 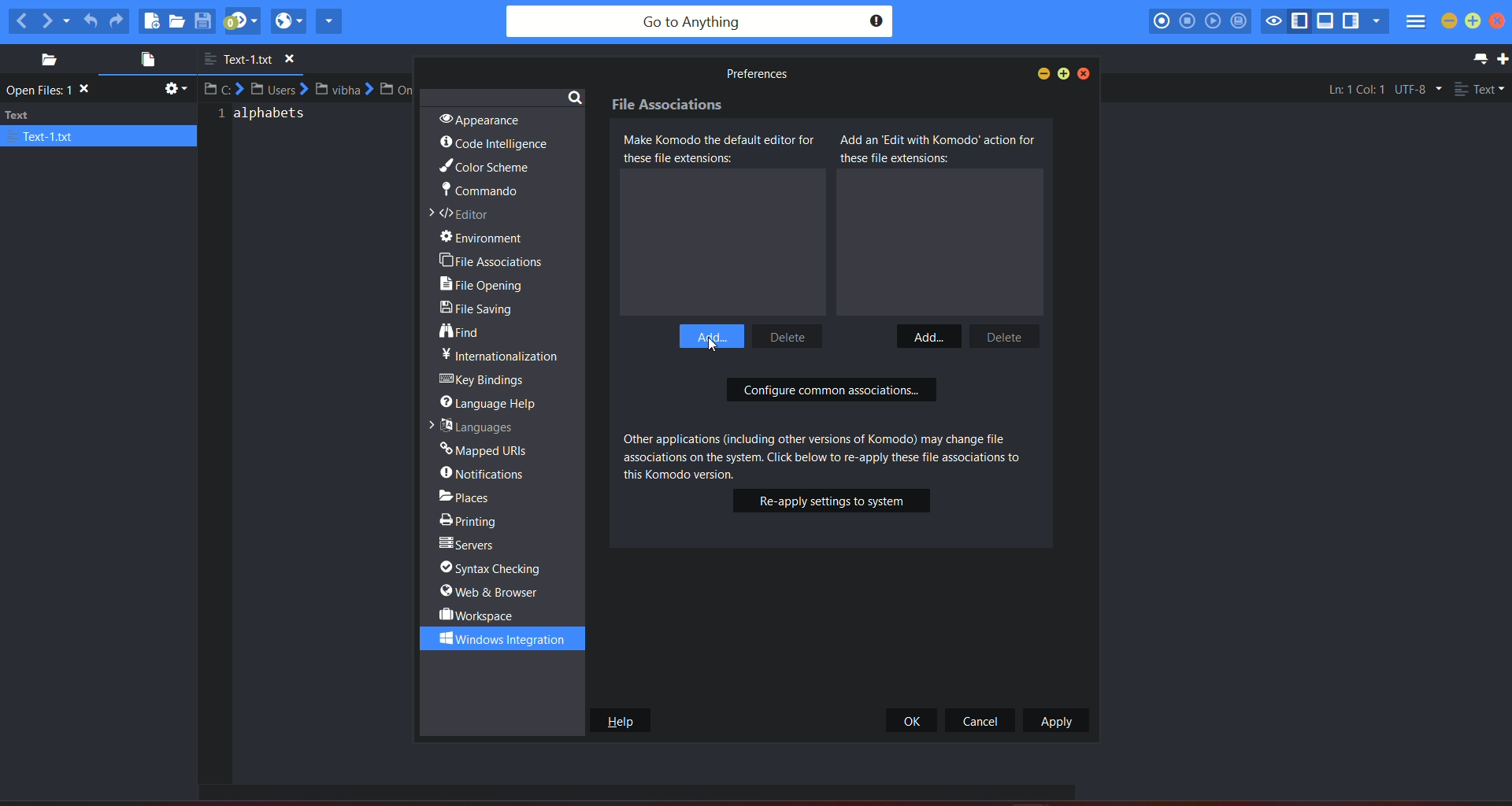 I want to click on find, so click(x=461, y=332).